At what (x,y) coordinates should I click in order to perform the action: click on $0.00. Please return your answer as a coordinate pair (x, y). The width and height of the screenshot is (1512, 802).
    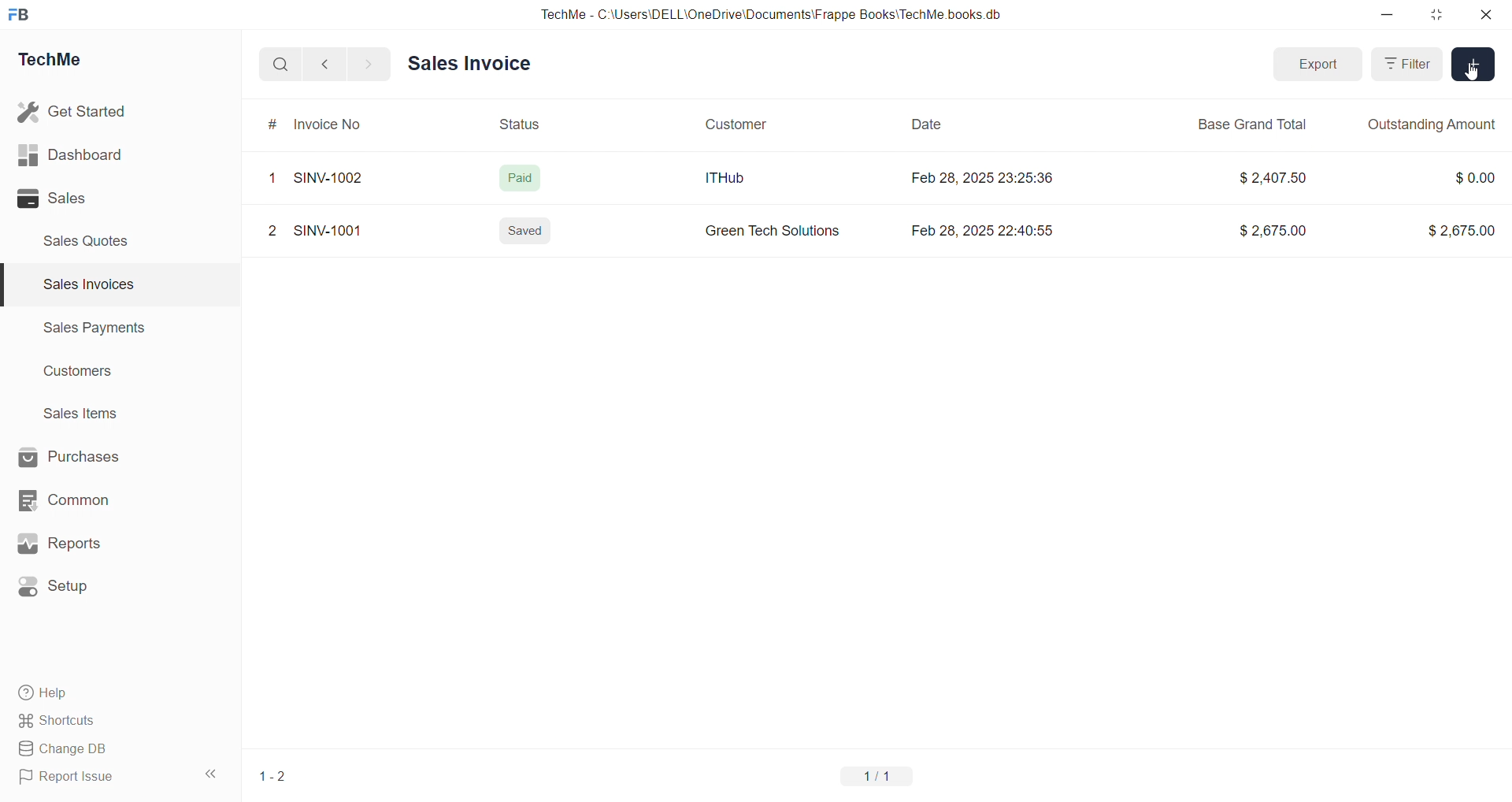
    Looking at the image, I should click on (1464, 174).